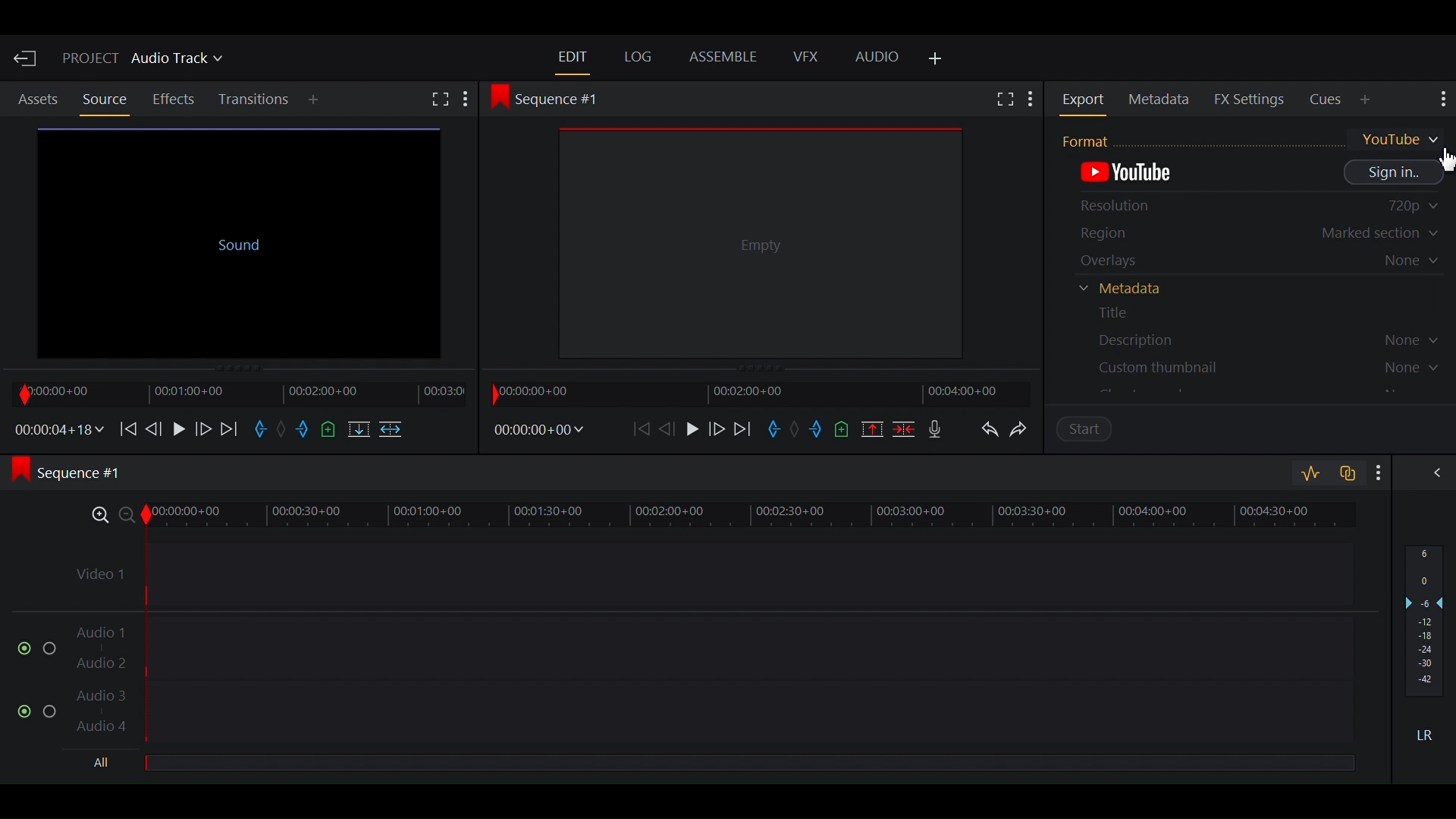 The height and width of the screenshot is (819, 1456). I want to click on Add Panel, so click(1367, 99).